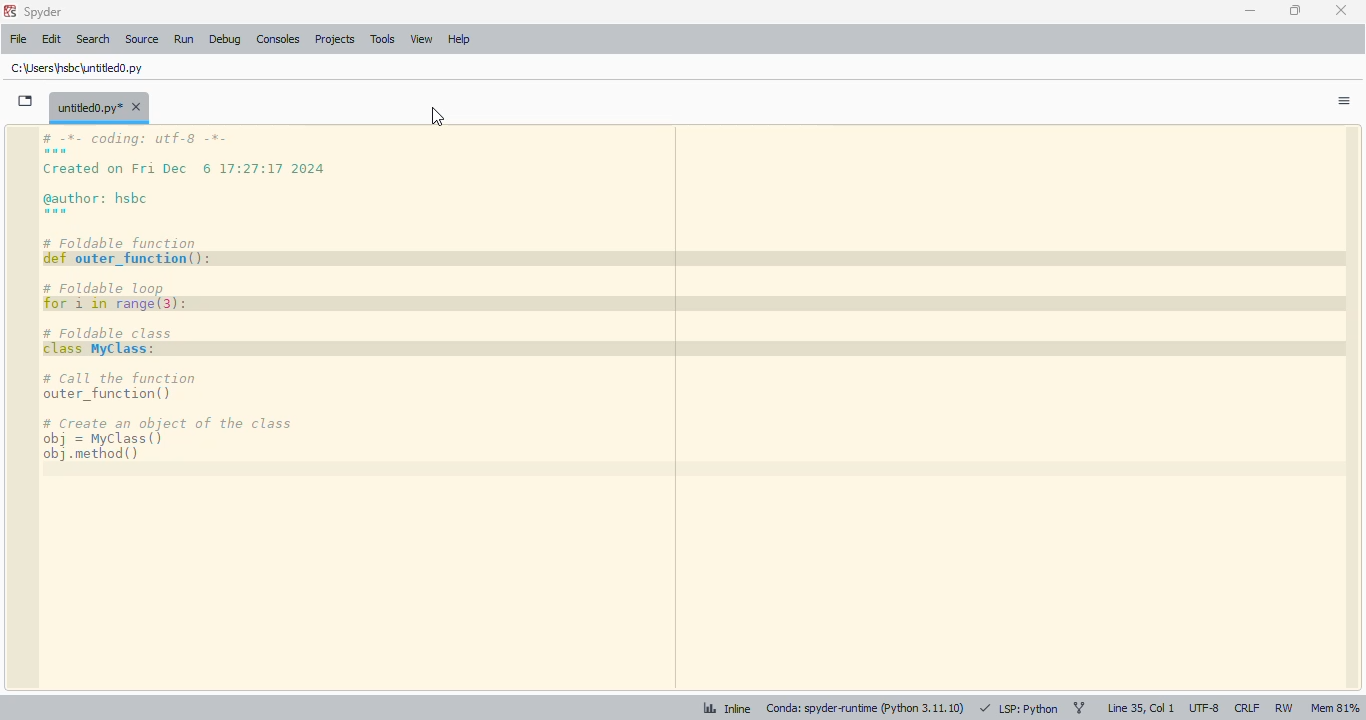 This screenshot has height=720, width=1366. Describe the element at coordinates (421, 40) in the screenshot. I see `view` at that location.